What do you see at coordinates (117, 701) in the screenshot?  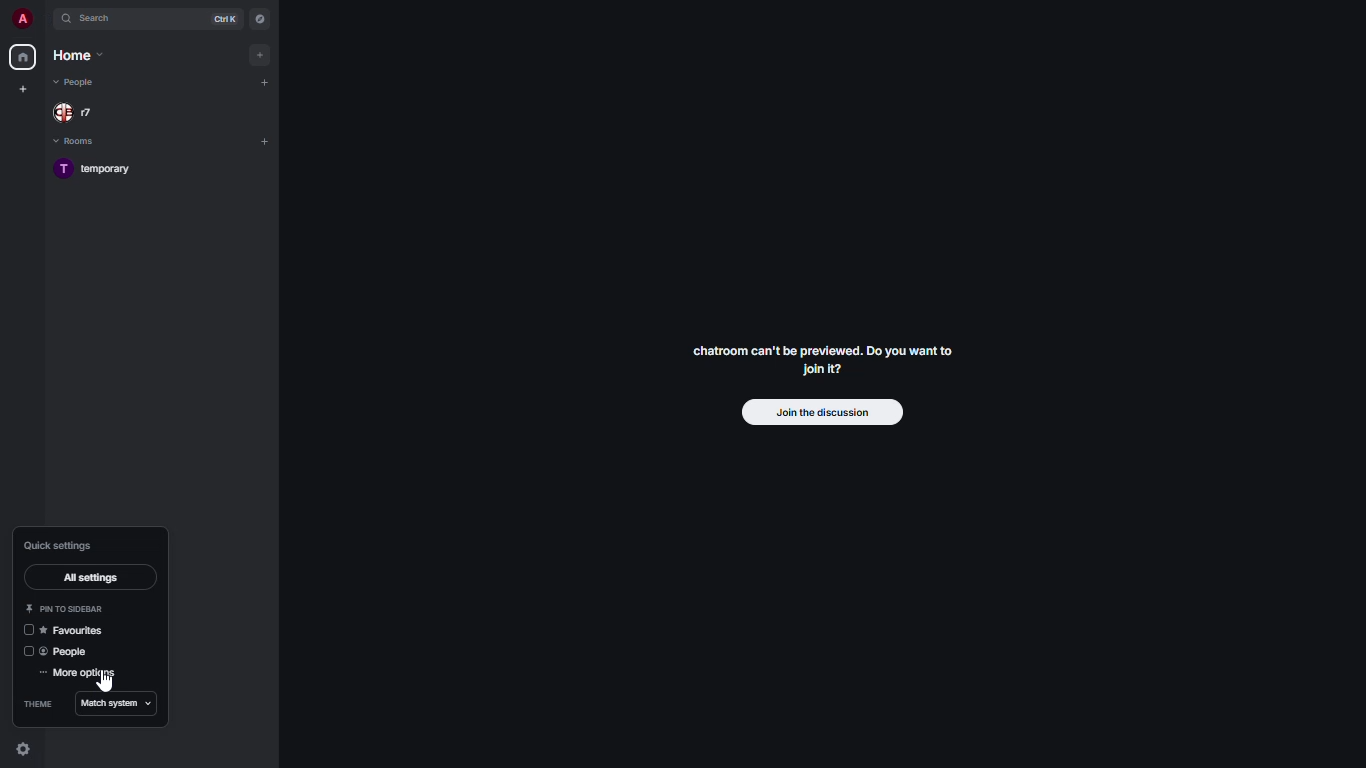 I see `match system` at bounding box center [117, 701].